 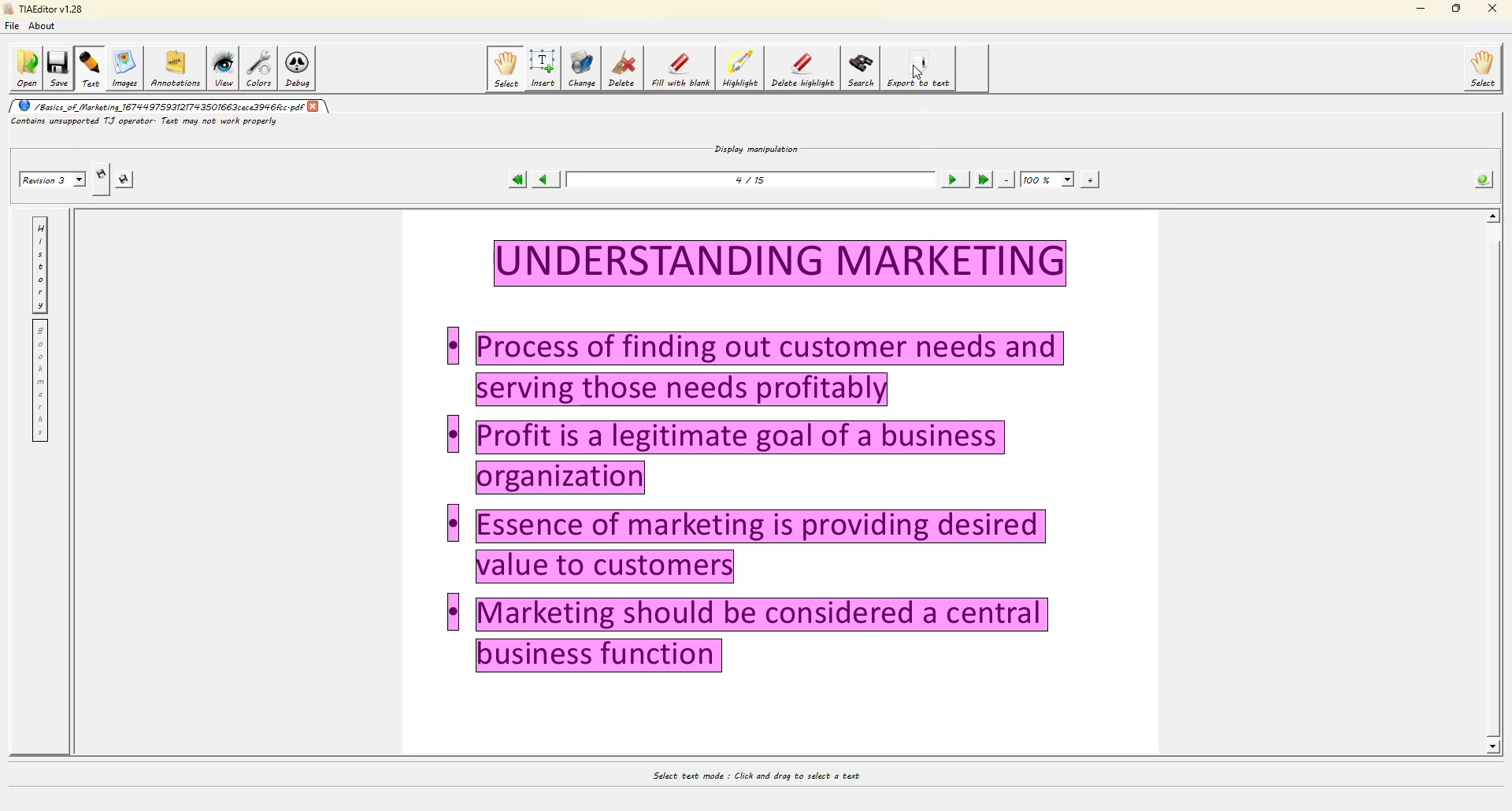 I want to click on pdf, so click(x=155, y=106).